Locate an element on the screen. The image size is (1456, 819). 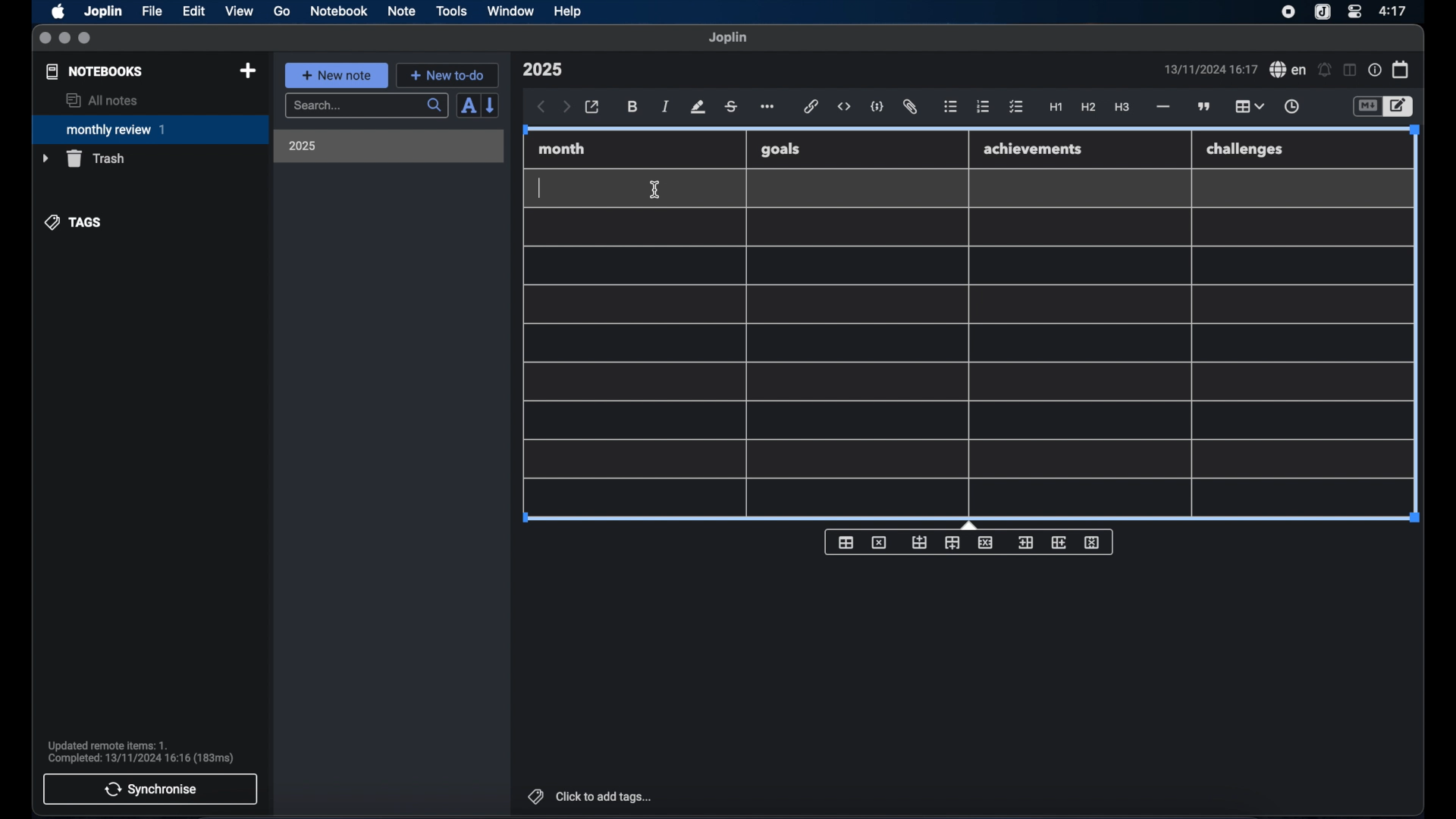
attach file is located at coordinates (910, 107).